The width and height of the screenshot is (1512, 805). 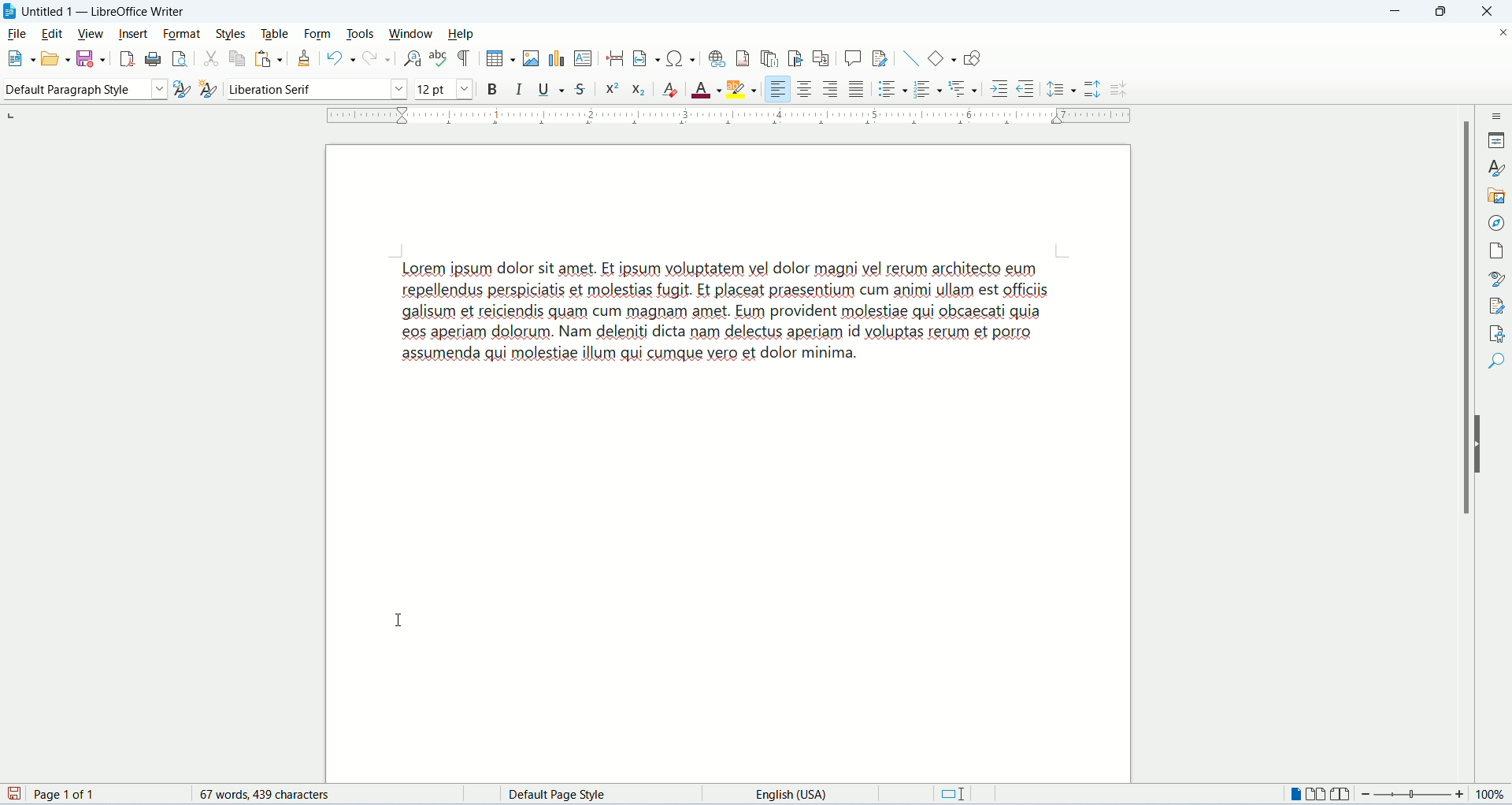 I want to click on format, so click(x=180, y=34).